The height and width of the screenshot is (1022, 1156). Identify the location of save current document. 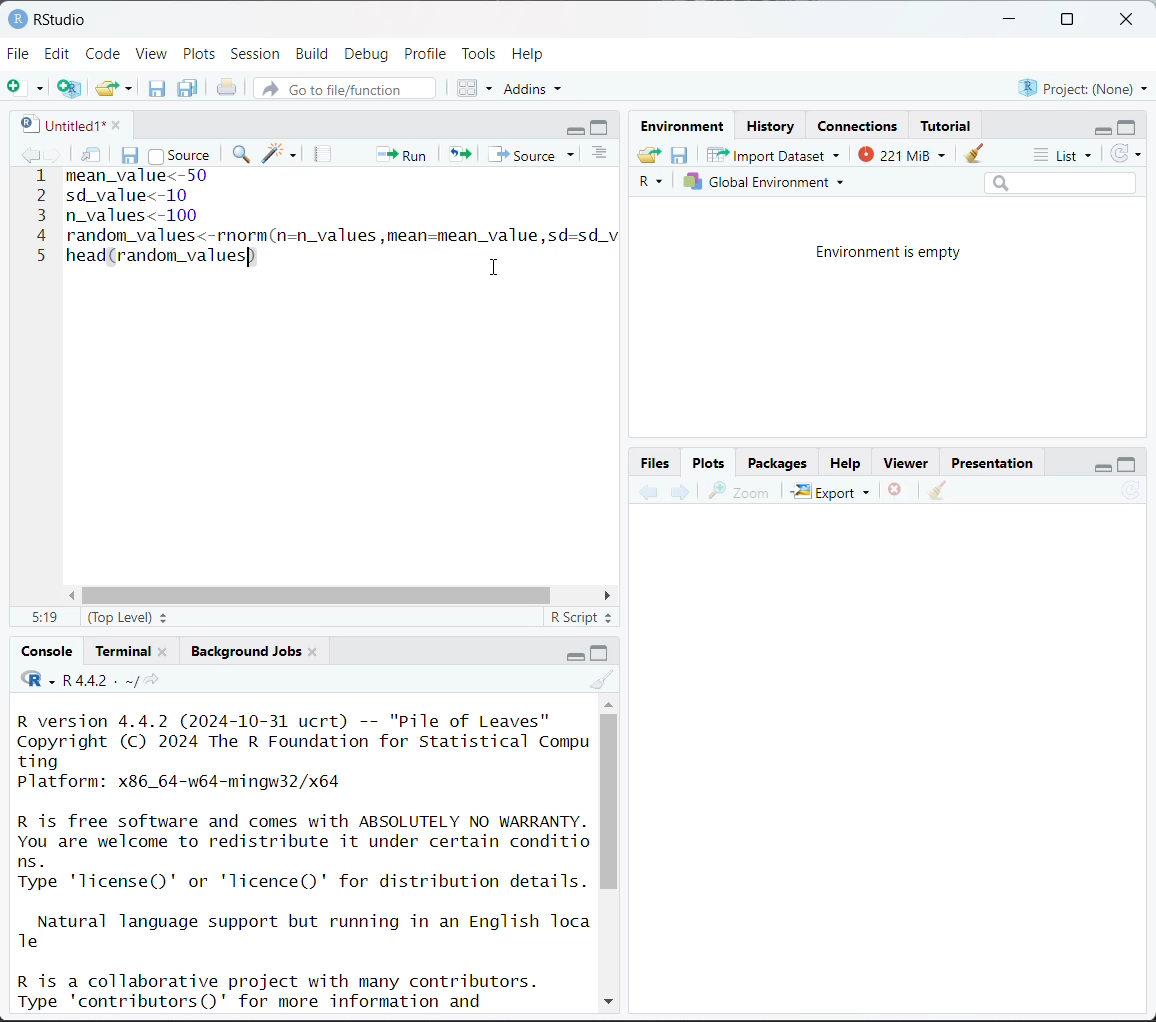
(131, 153).